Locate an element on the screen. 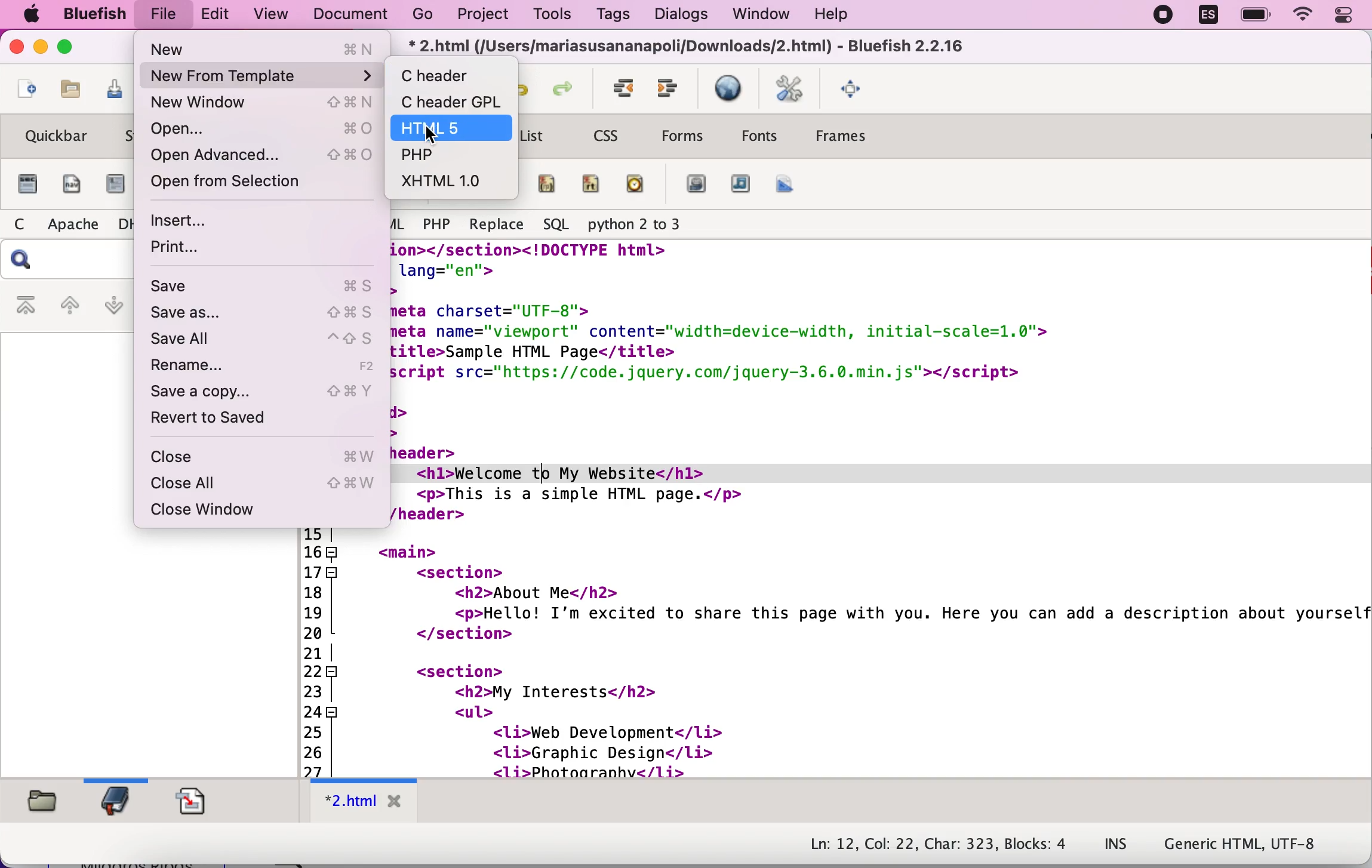  standard is located at coordinates (124, 134).